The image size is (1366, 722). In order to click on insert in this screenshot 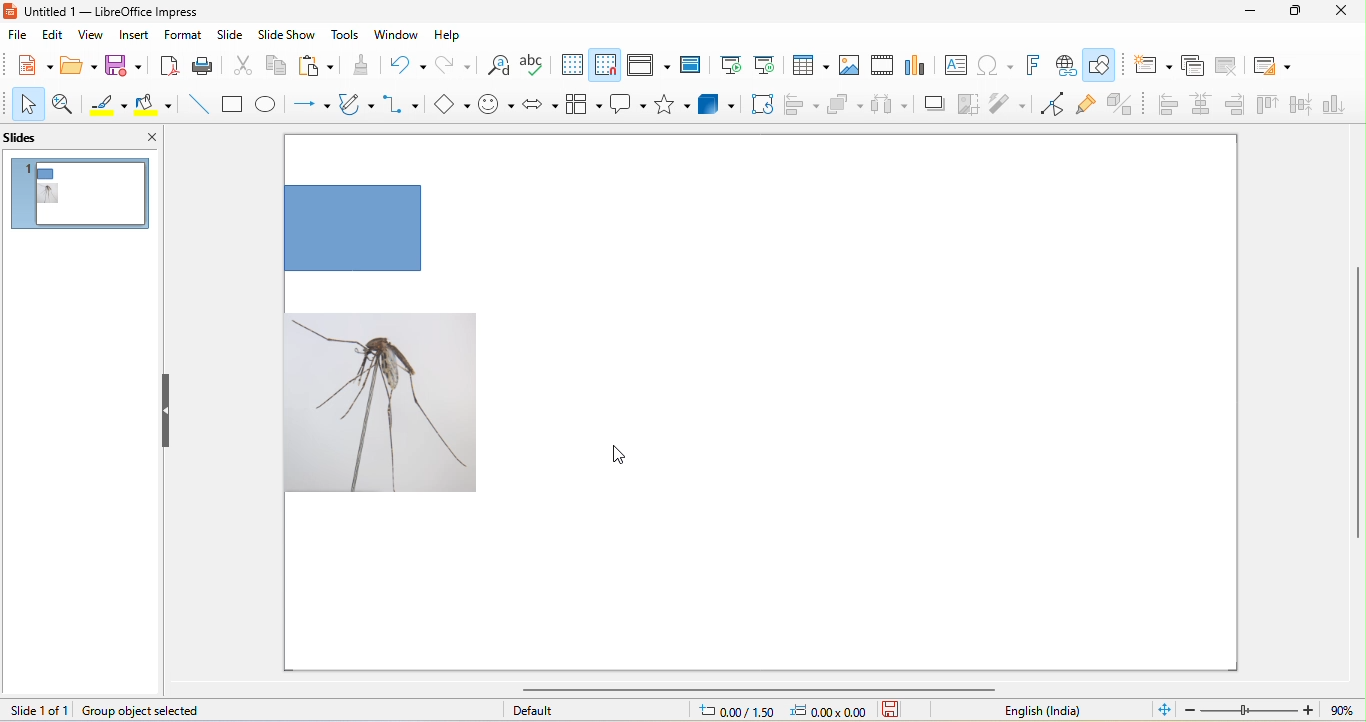, I will do `click(131, 37)`.